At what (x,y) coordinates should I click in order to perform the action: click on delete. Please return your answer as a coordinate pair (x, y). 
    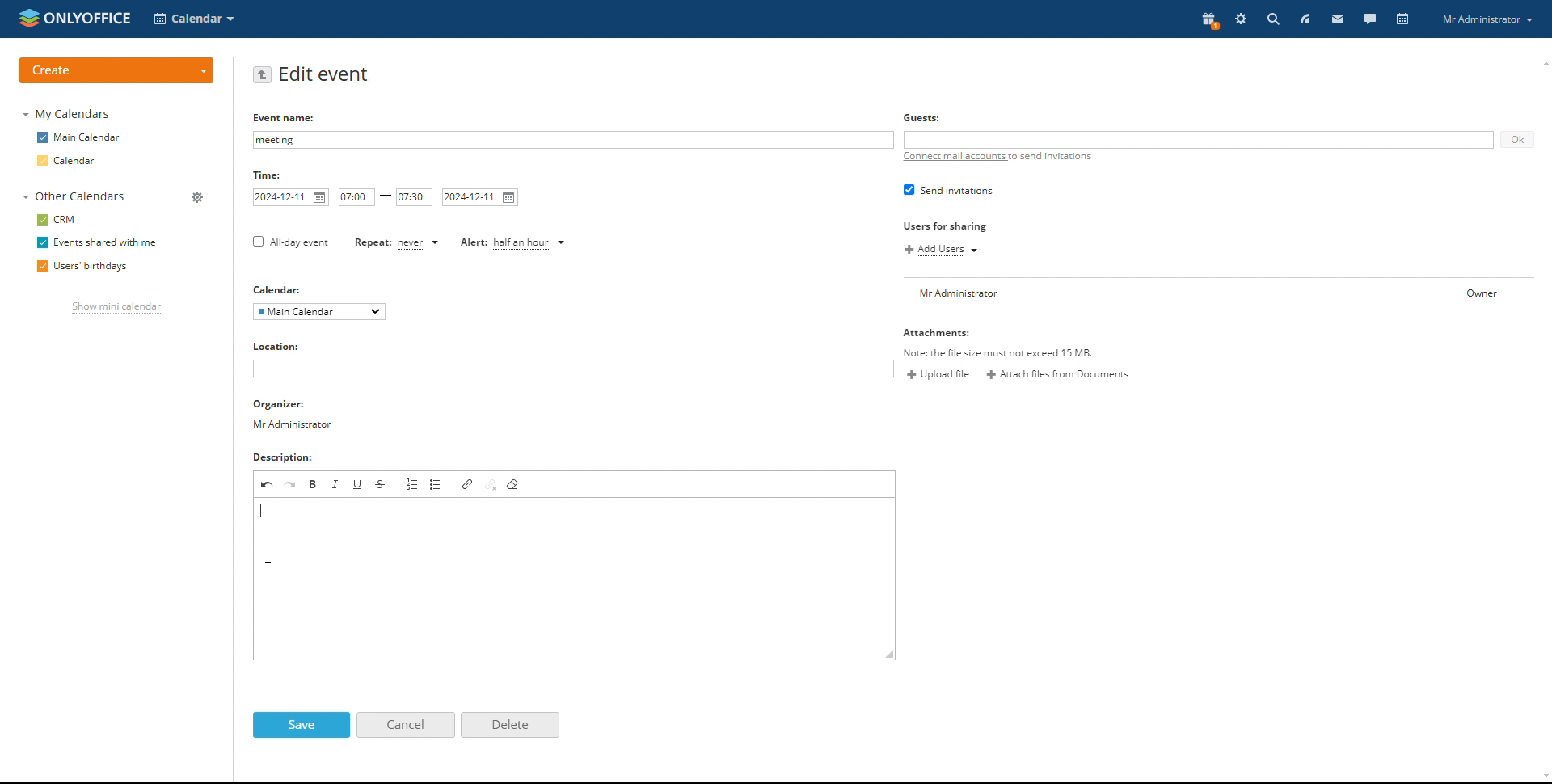
    Looking at the image, I should click on (510, 726).